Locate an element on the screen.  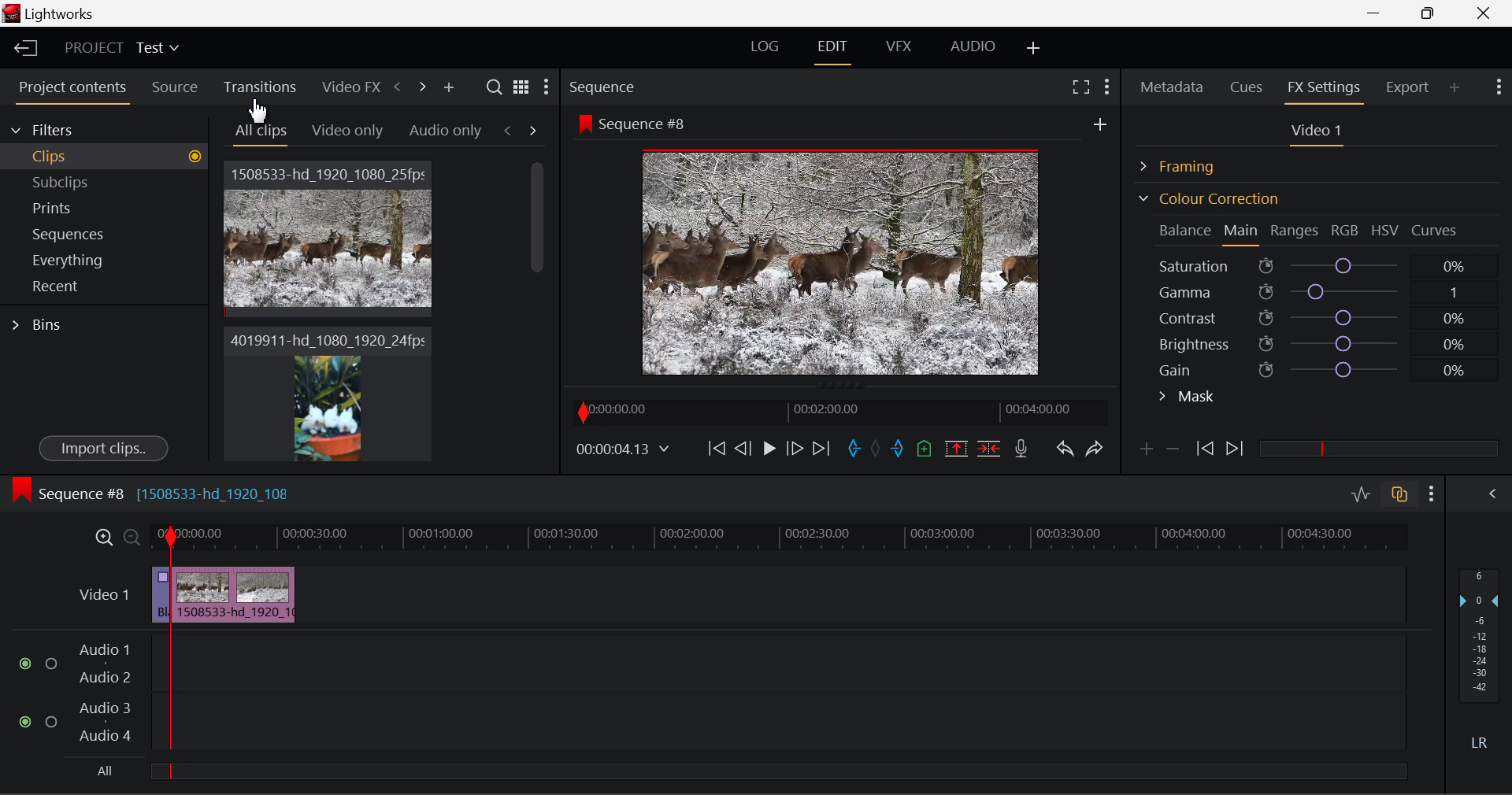
AUDIO Layout is located at coordinates (972, 46).